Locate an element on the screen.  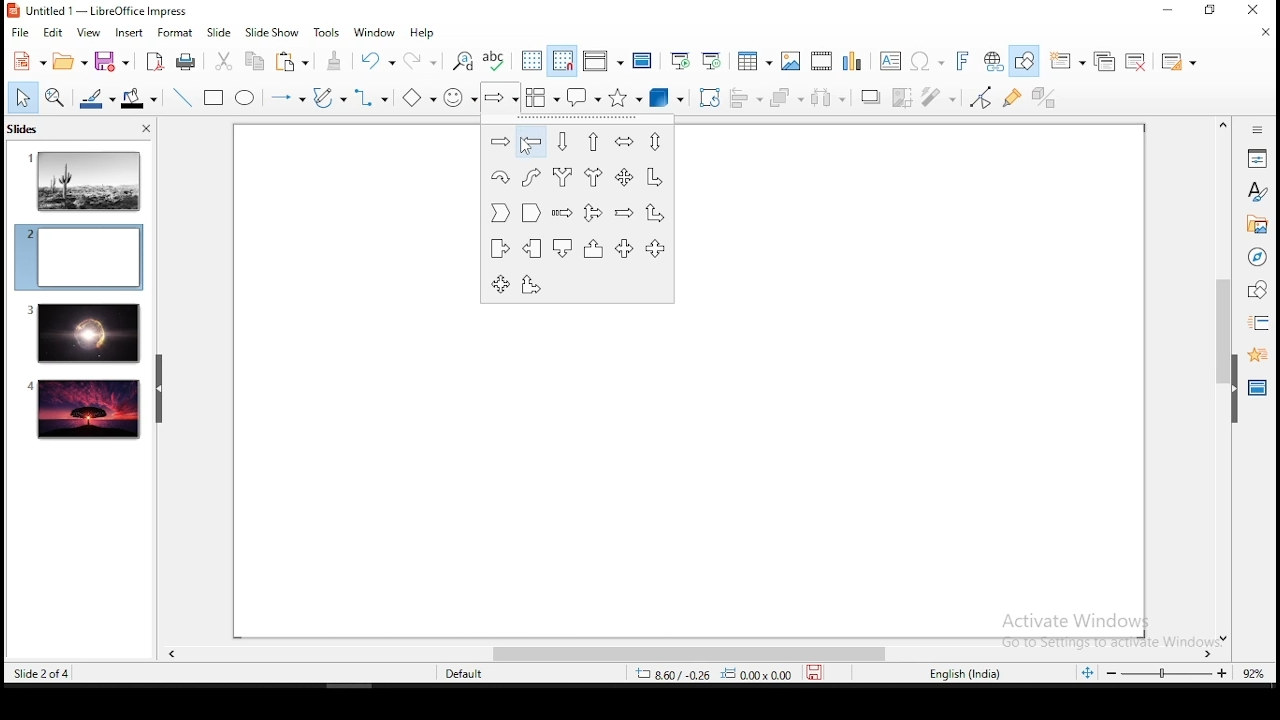
up, right, and down arrow is located at coordinates (592, 211).